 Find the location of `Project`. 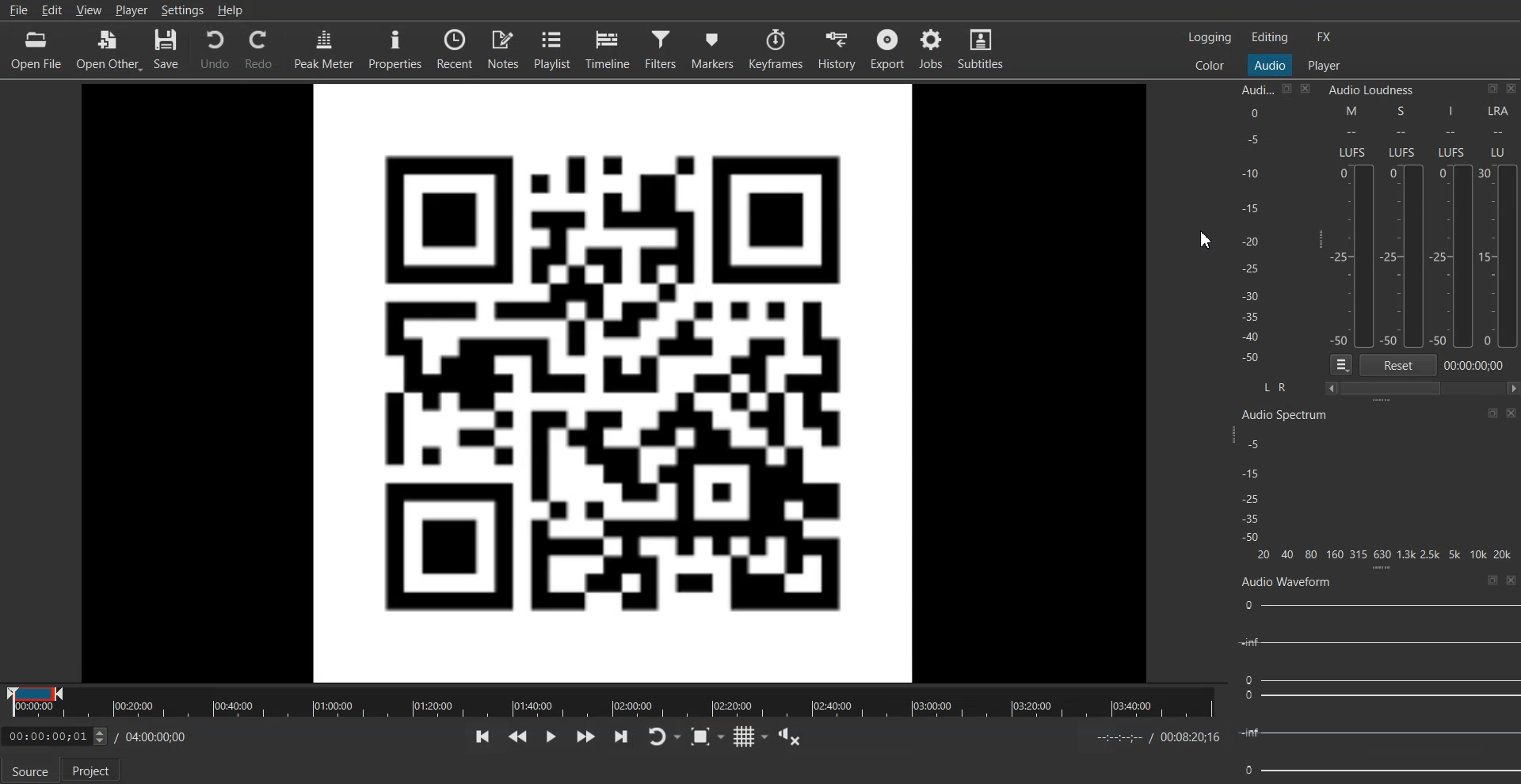

Project is located at coordinates (93, 770).